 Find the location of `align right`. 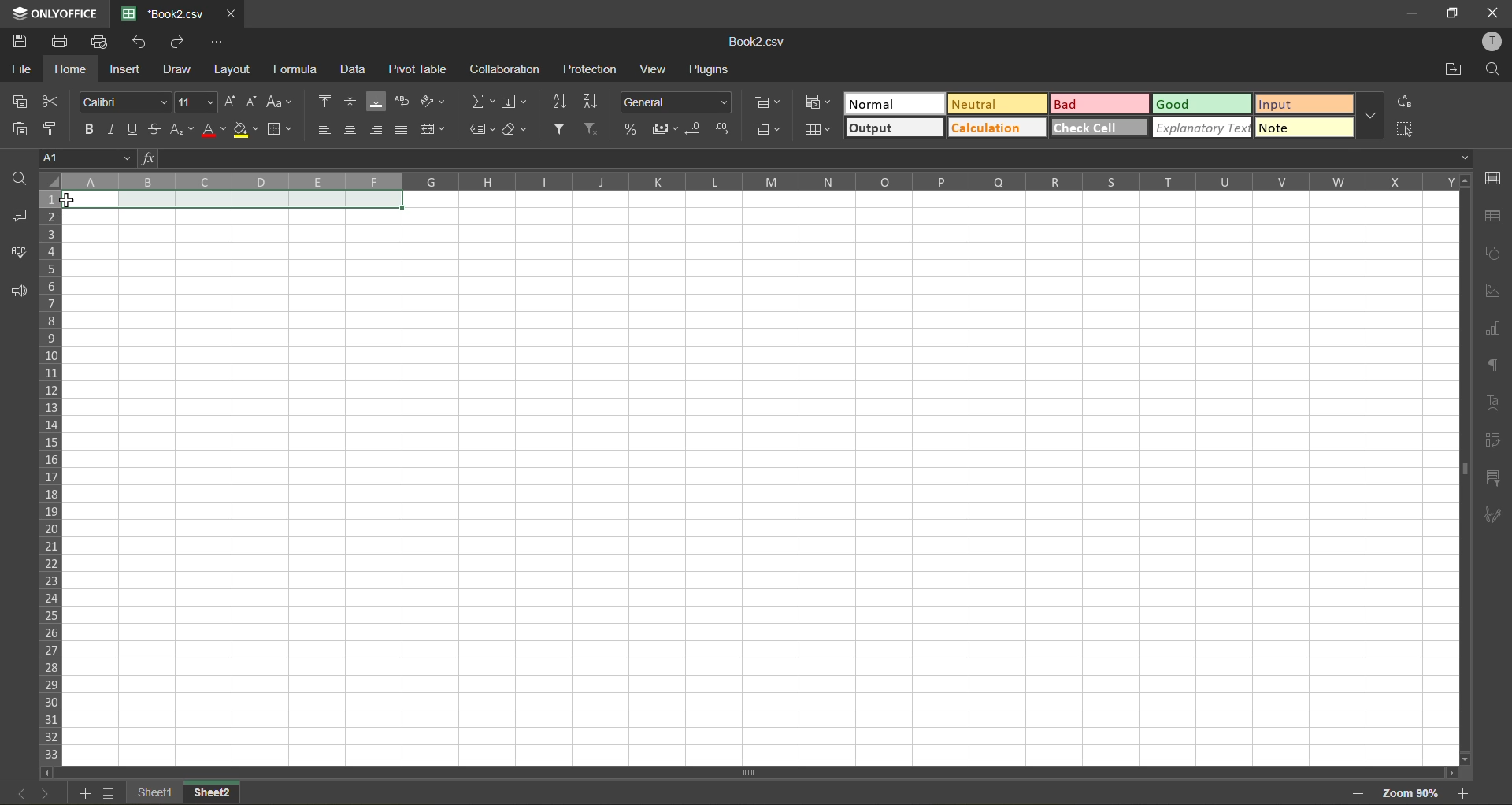

align right is located at coordinates (380, 129).